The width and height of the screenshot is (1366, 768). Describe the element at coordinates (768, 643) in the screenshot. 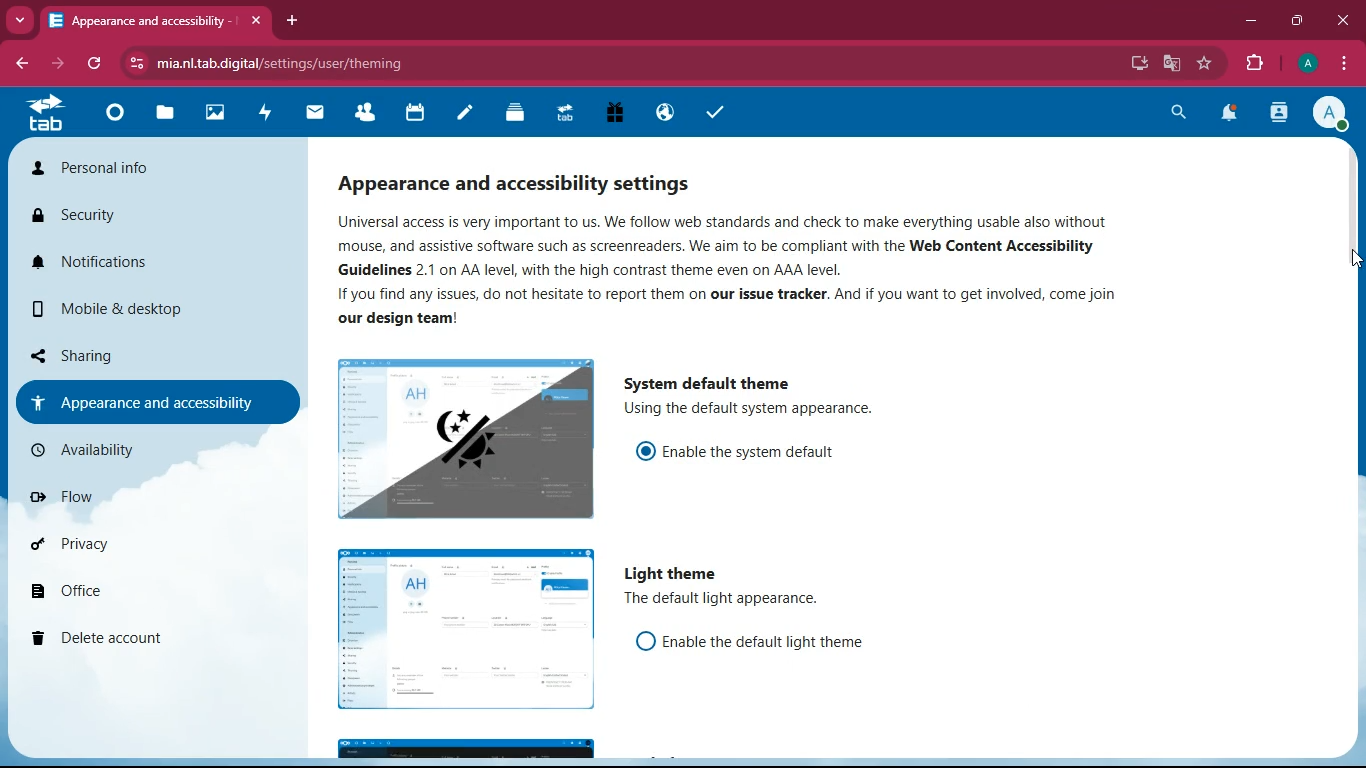

I see `enable` at that location.